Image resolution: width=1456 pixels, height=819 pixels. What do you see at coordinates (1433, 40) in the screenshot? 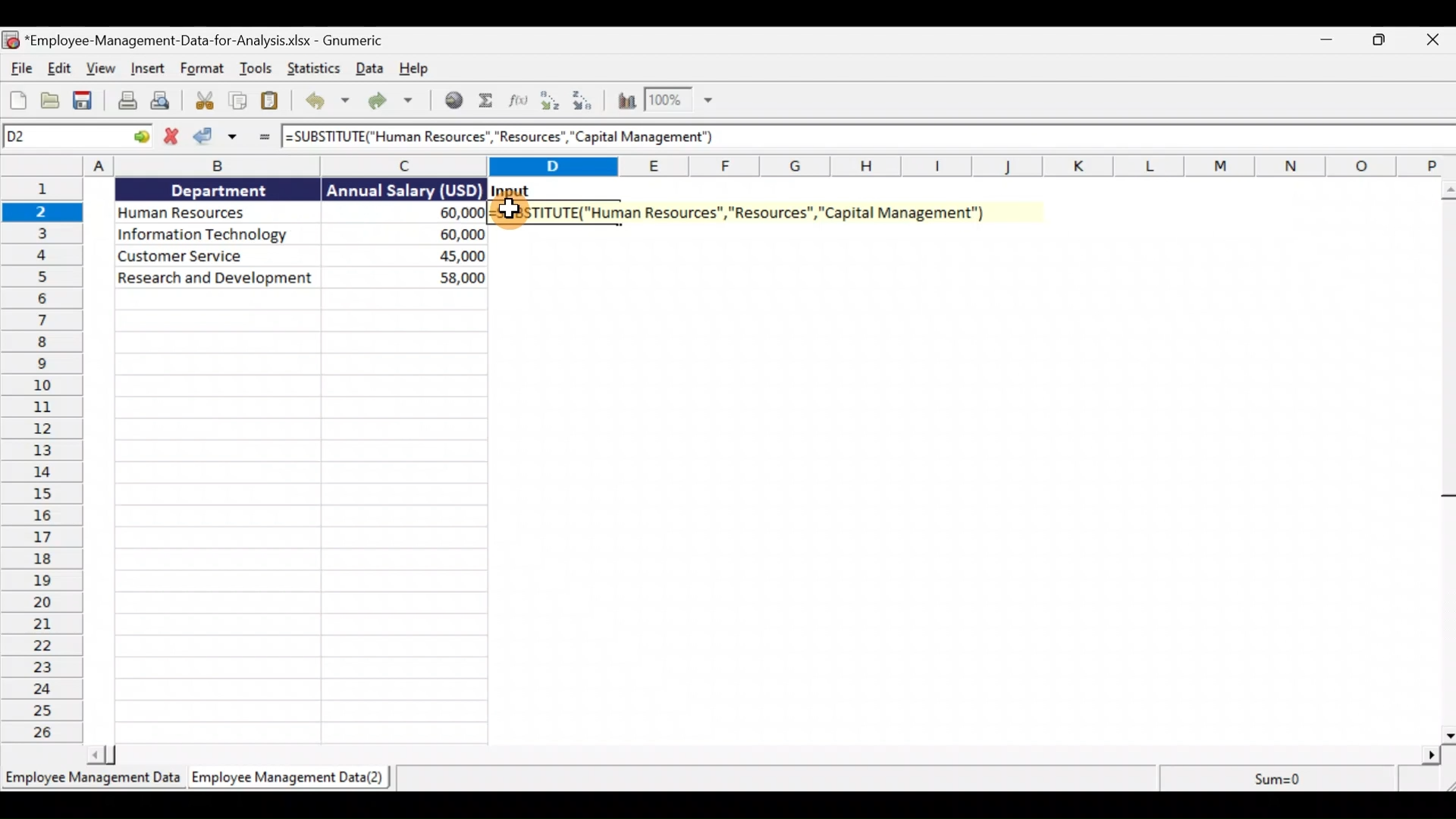
I see `Close` at bounding box center [1433, 40].